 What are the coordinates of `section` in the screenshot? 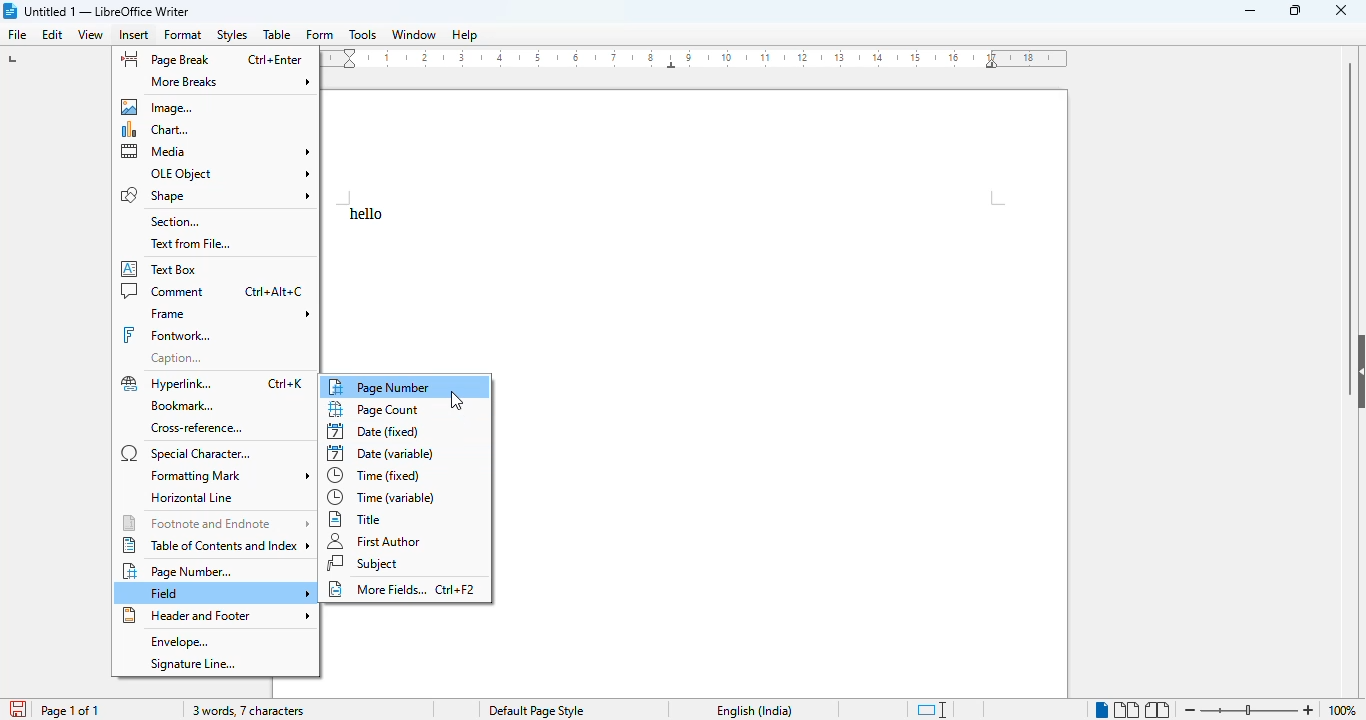 It's located at (175, 222).